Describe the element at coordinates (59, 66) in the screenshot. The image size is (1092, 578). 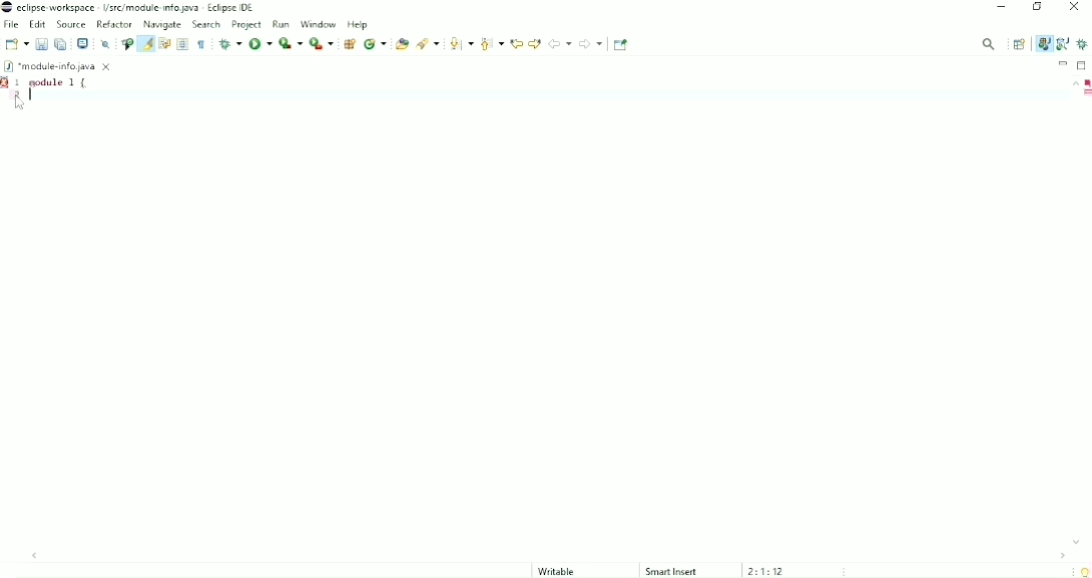
I see `*module-info.java` at that location.